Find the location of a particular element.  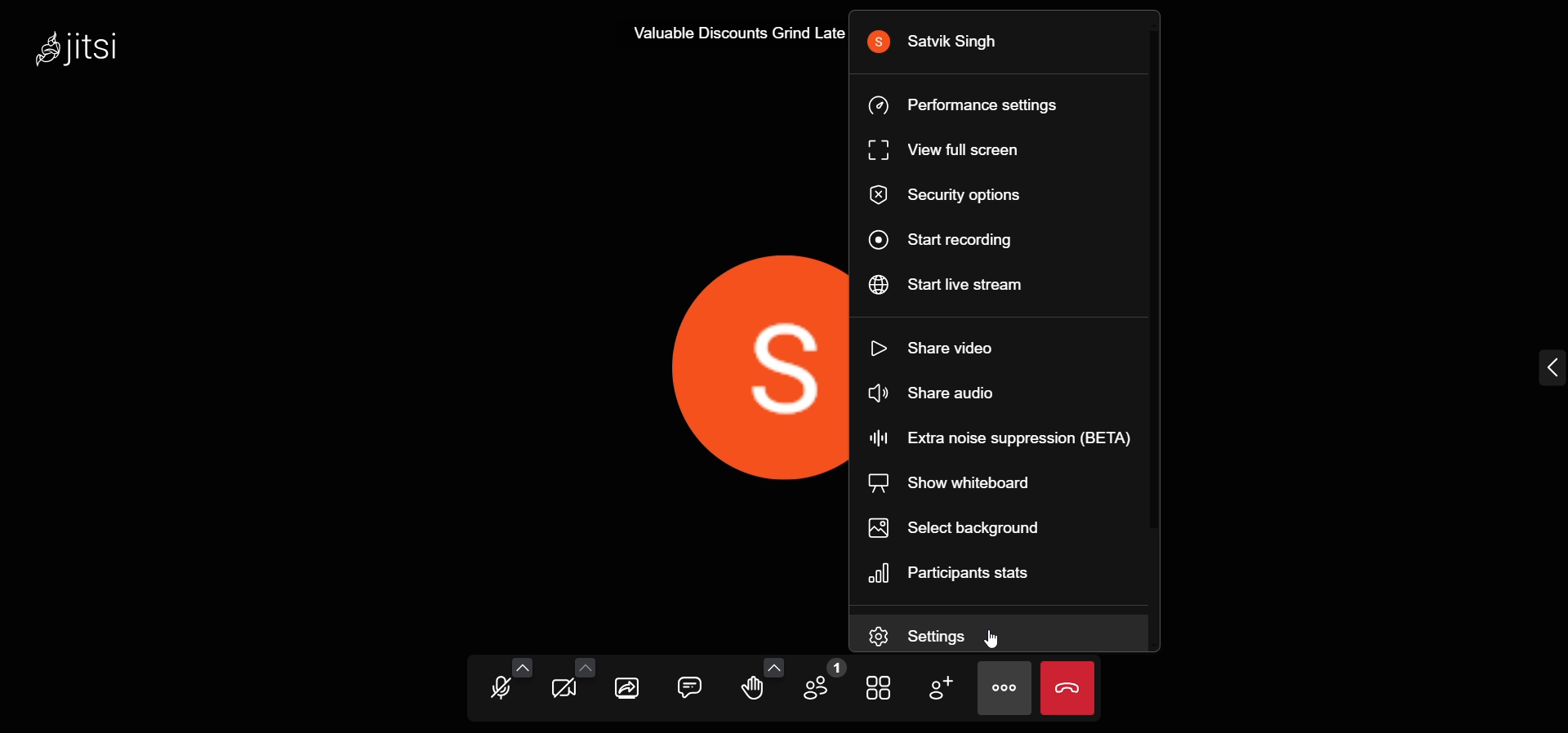

participants is located at coordinates (822, 682).